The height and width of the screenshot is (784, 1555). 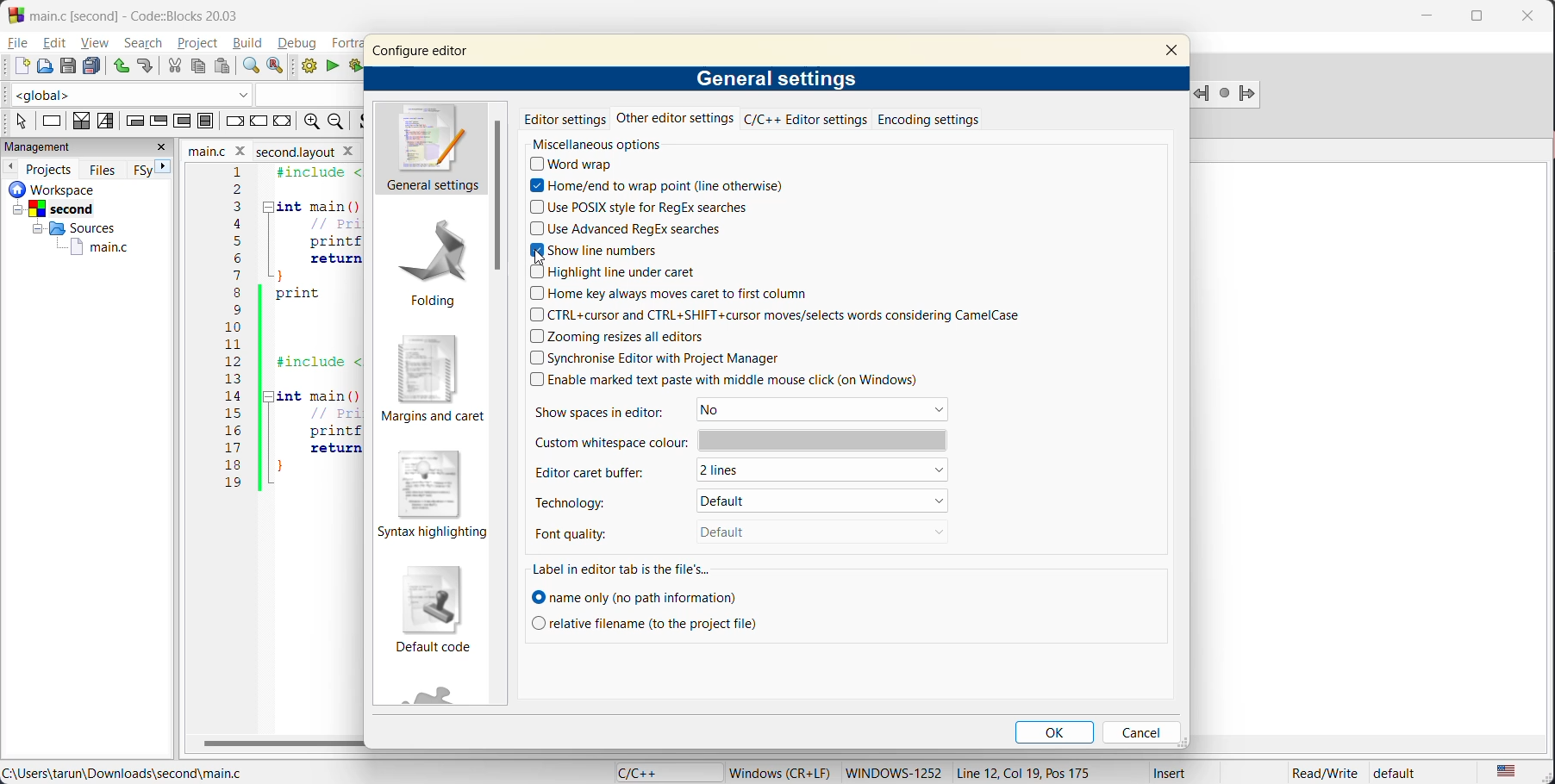 What do you see at coordinates (66, 146) in the screenshot?
I see `management` at bounding box center [66, 146].